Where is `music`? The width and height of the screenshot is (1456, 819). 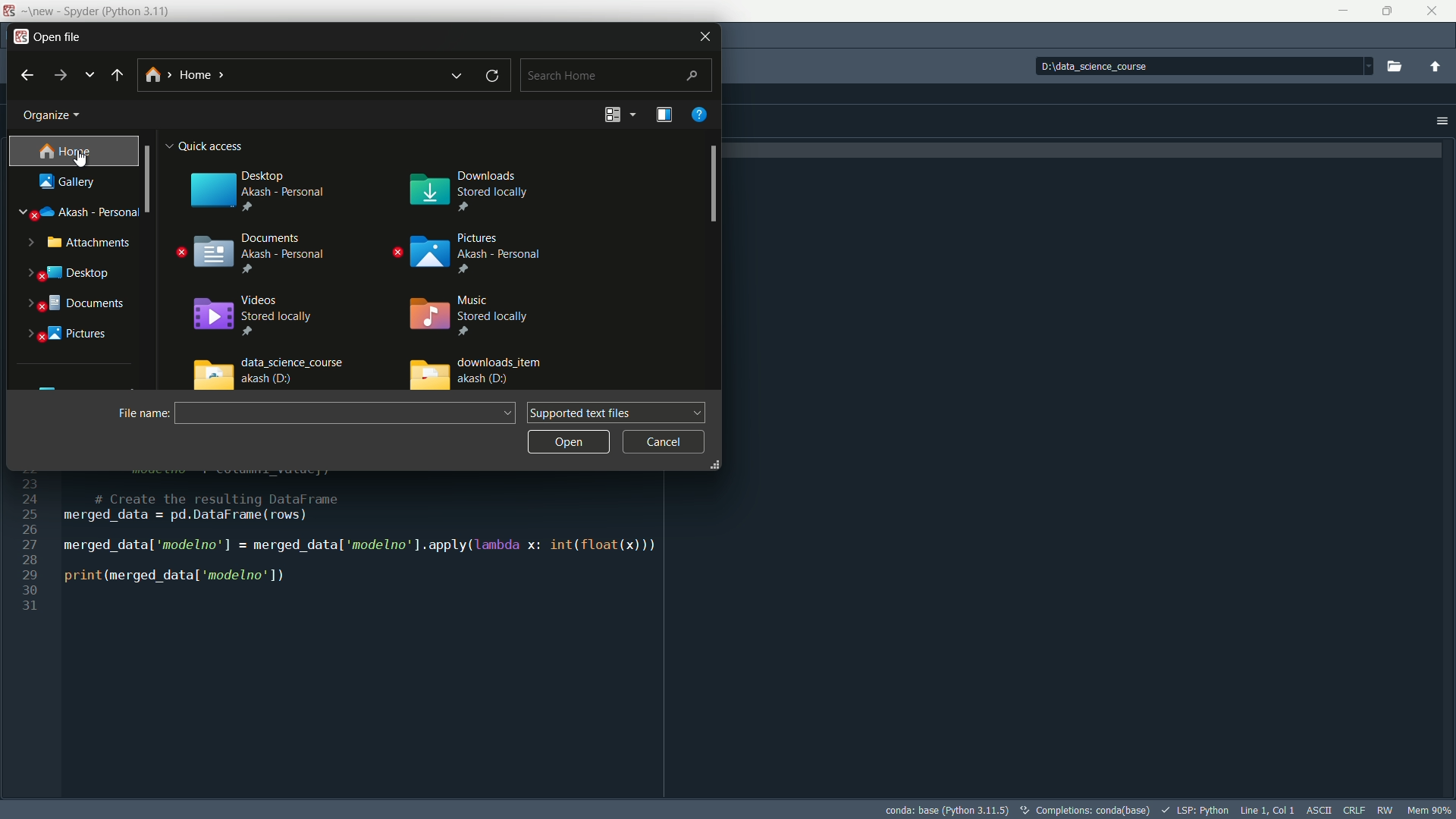 music is located at coordinates (472, 313).